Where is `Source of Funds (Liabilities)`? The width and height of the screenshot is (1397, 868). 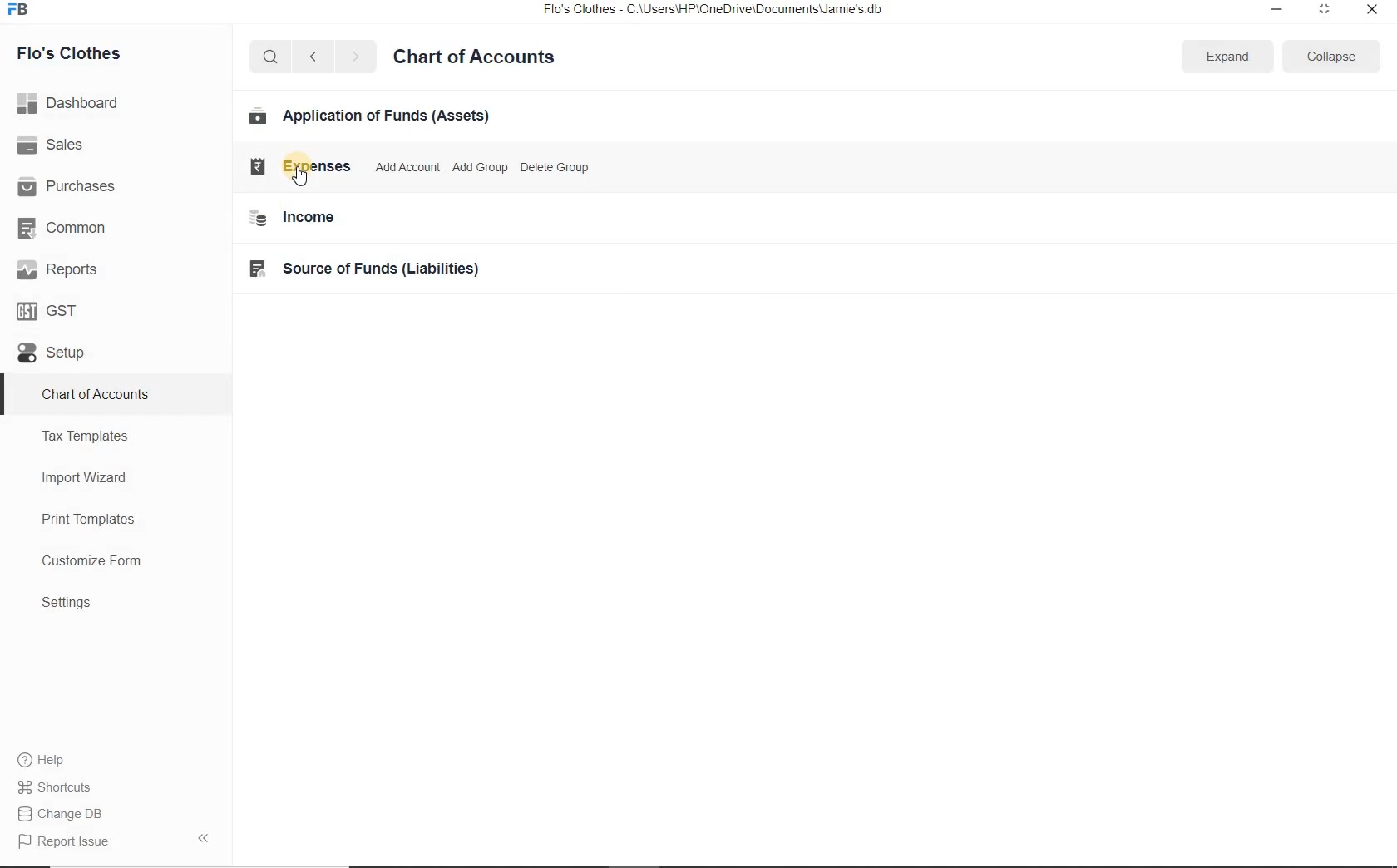 Source of Funds (Liabilities) is located at coordinates (368, 270).